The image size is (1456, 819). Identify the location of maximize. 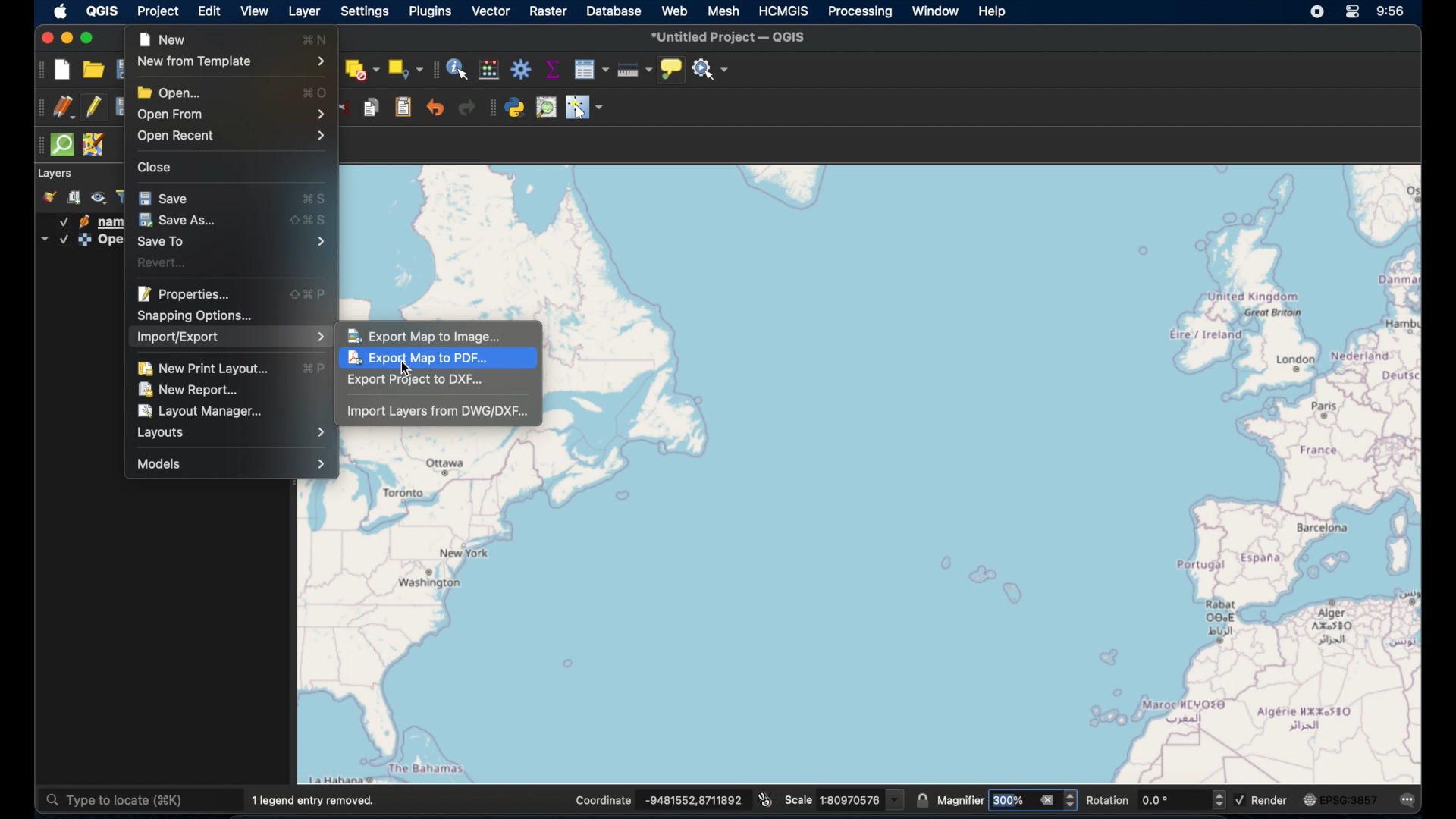
(90, 39).